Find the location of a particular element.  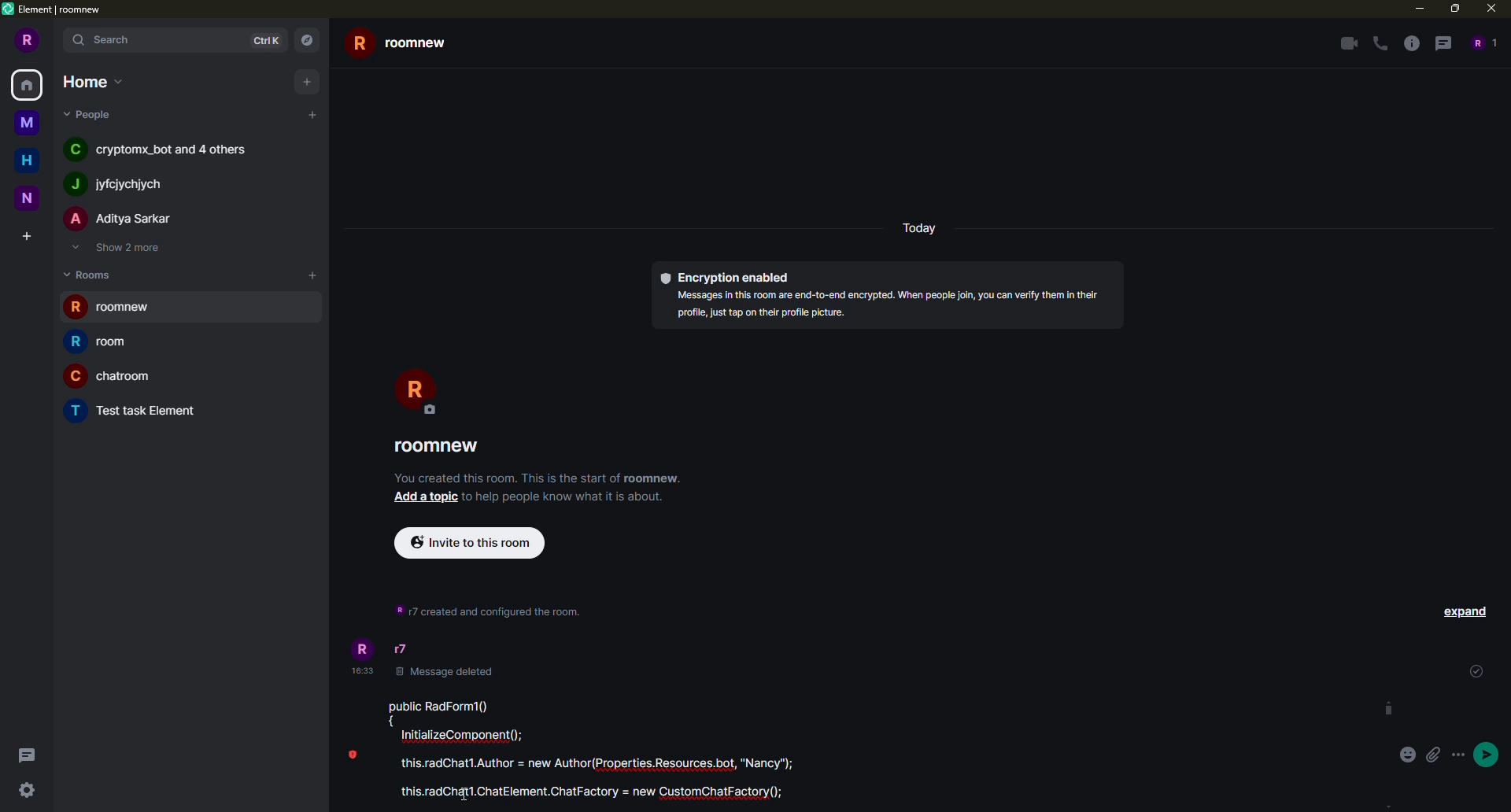

info is located at coordinates (564, 500).